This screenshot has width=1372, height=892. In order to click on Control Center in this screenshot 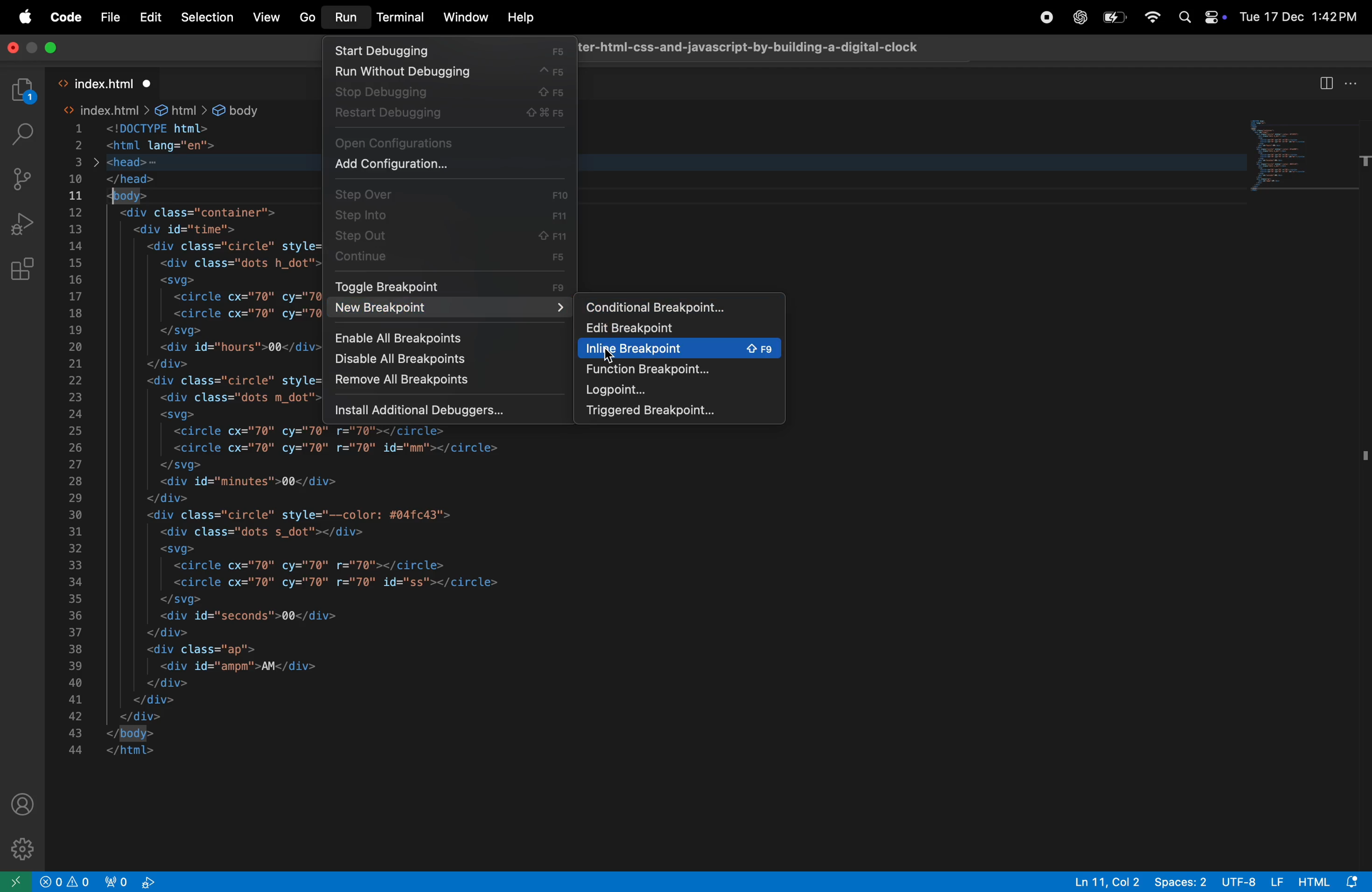, I will do `click(1213, 14)`.